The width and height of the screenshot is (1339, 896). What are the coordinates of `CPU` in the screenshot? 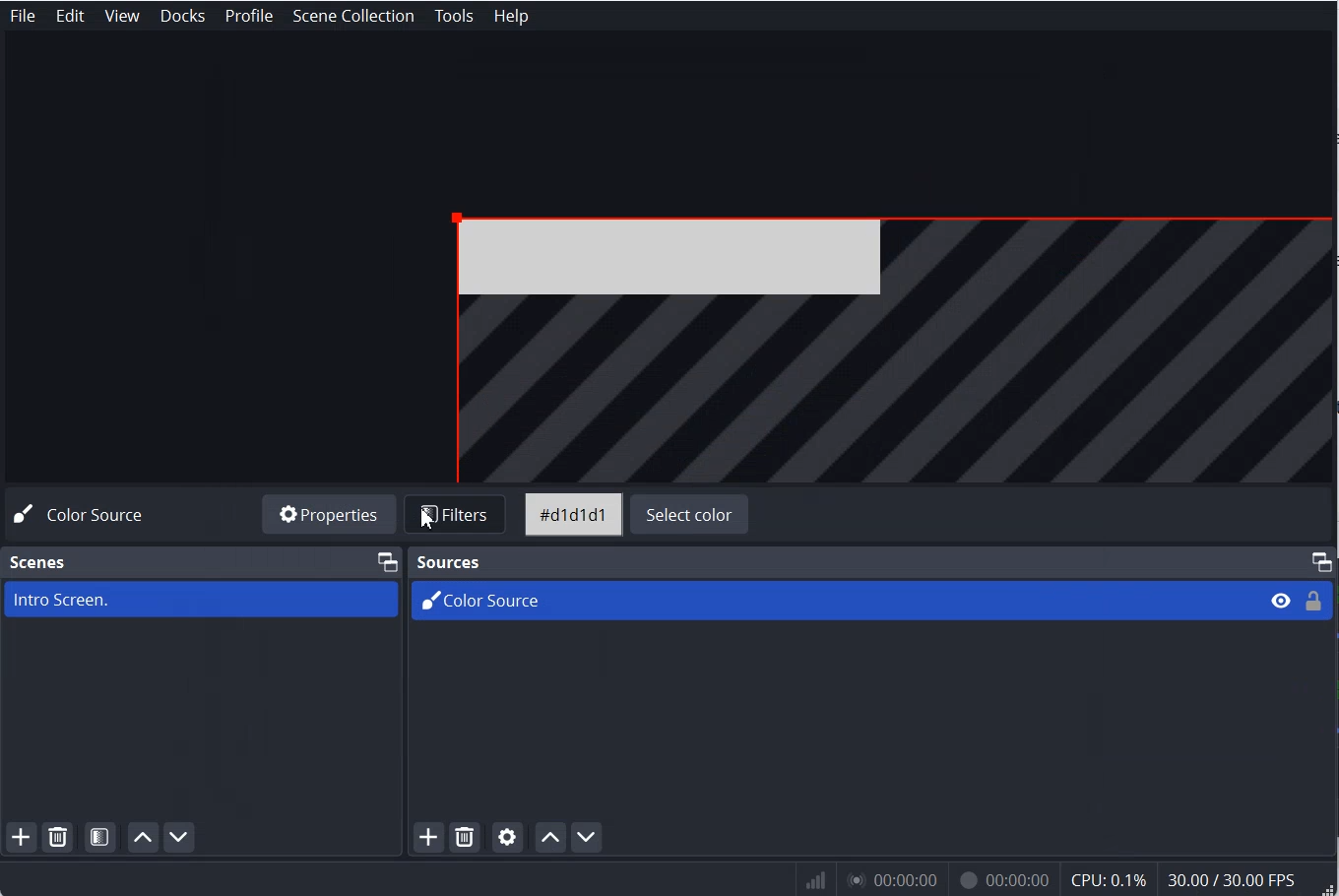 It's located at (1110, 880).